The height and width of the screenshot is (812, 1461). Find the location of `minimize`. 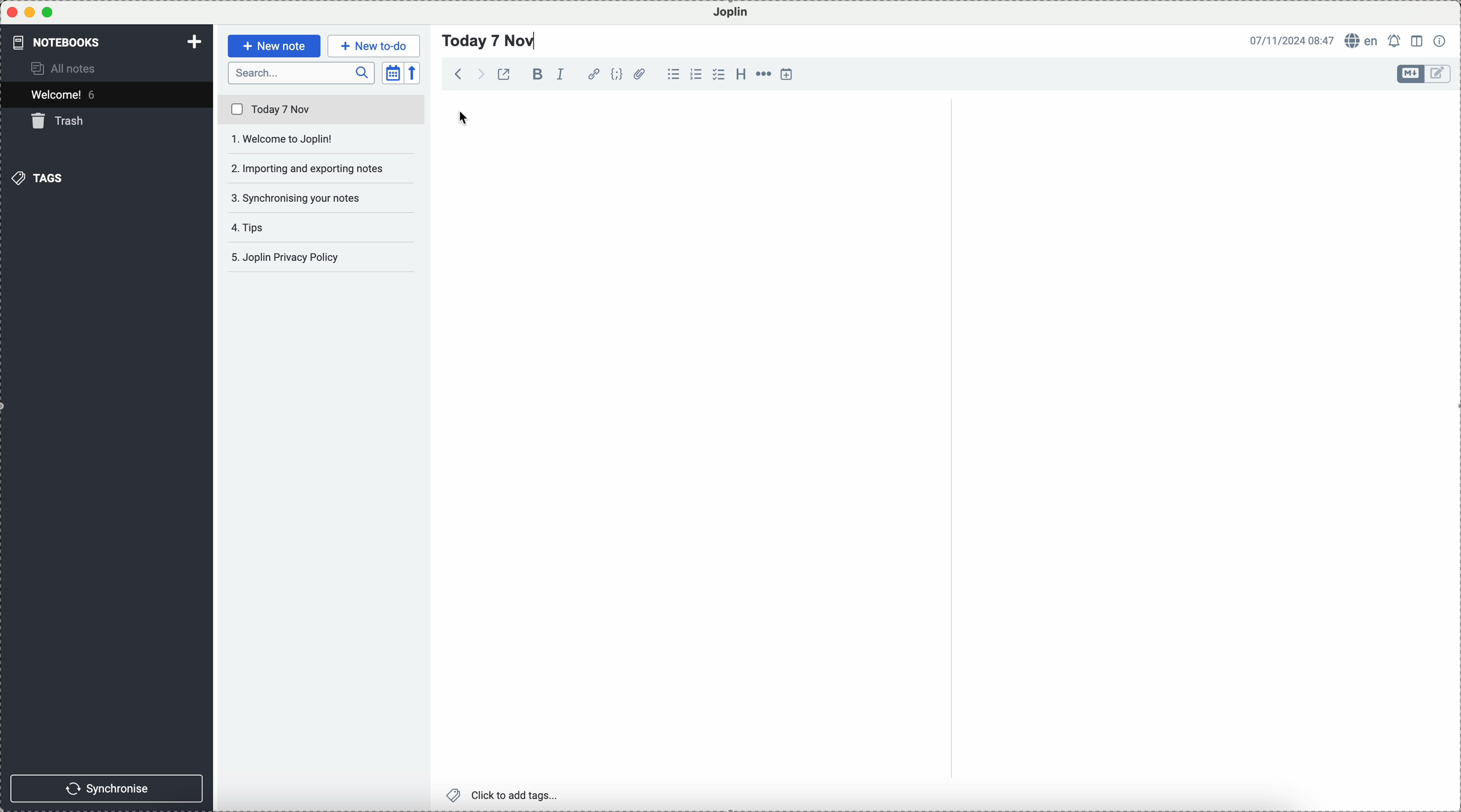

minimize is located at coordinates (31, 12).